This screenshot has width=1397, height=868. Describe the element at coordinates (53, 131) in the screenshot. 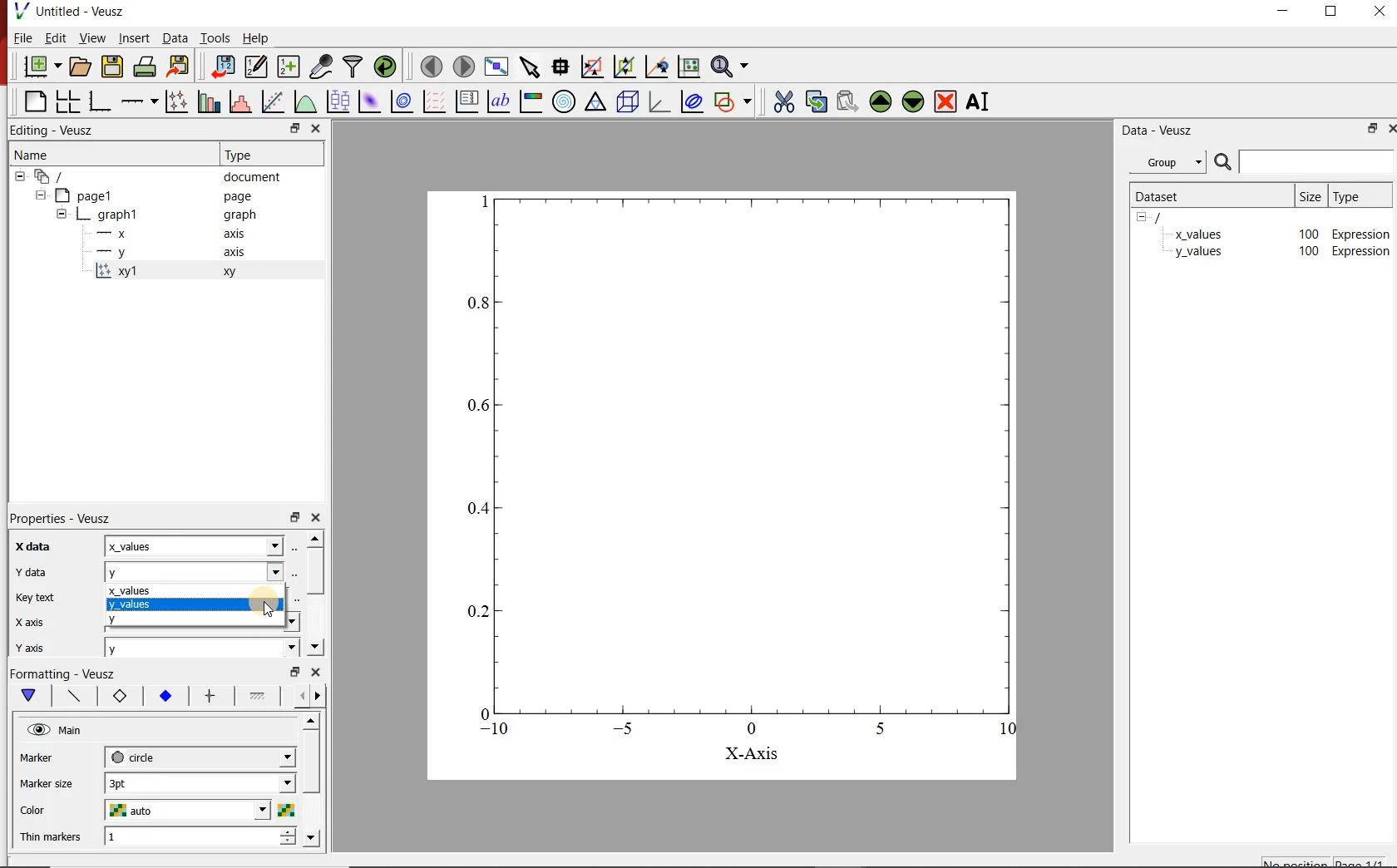

I see `Editing - Veusz` at that location.